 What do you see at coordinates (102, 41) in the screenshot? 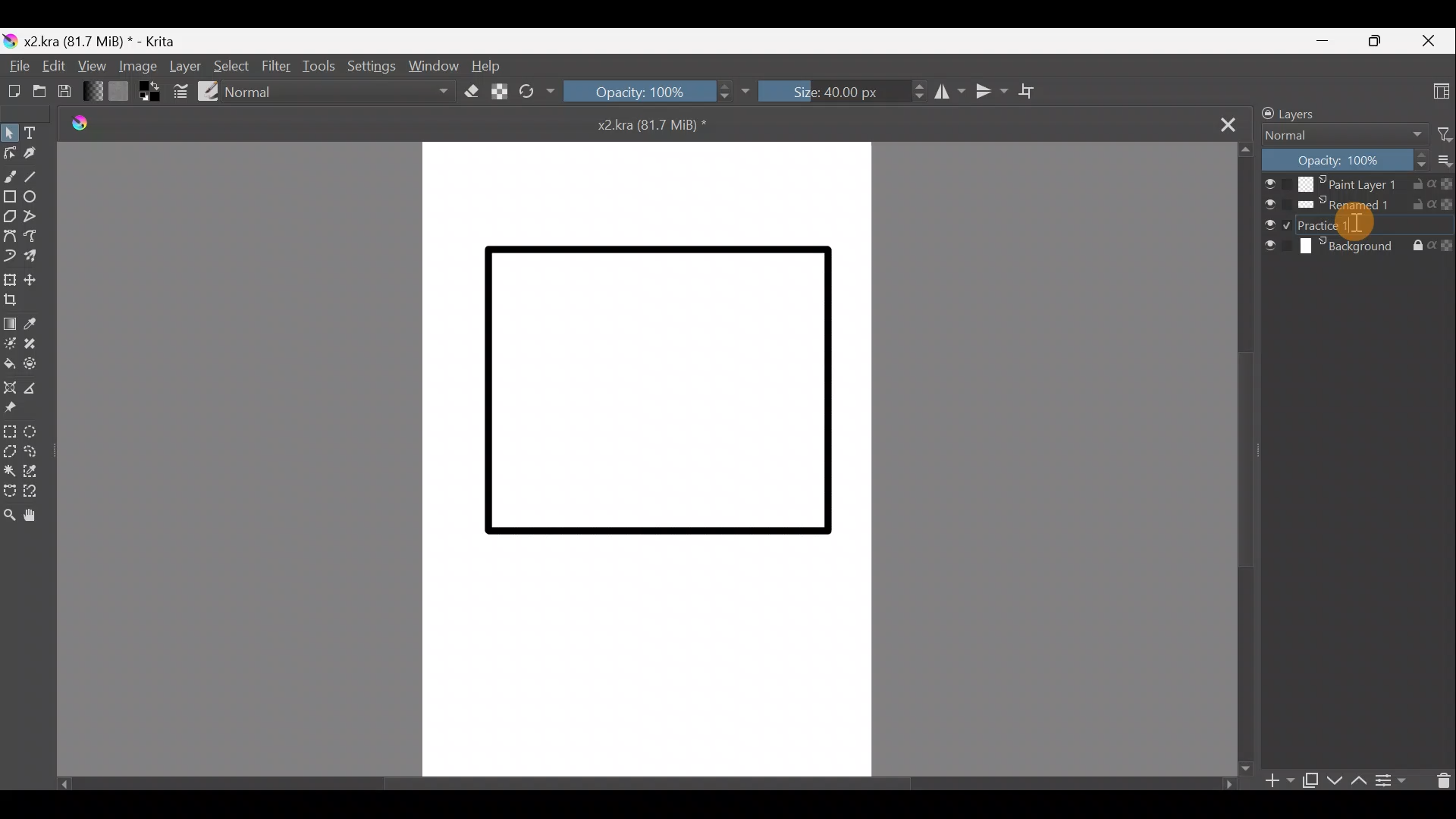
I see `x2.kra (81.7 MiB) * - Krita` at bounding box center [102, 41].